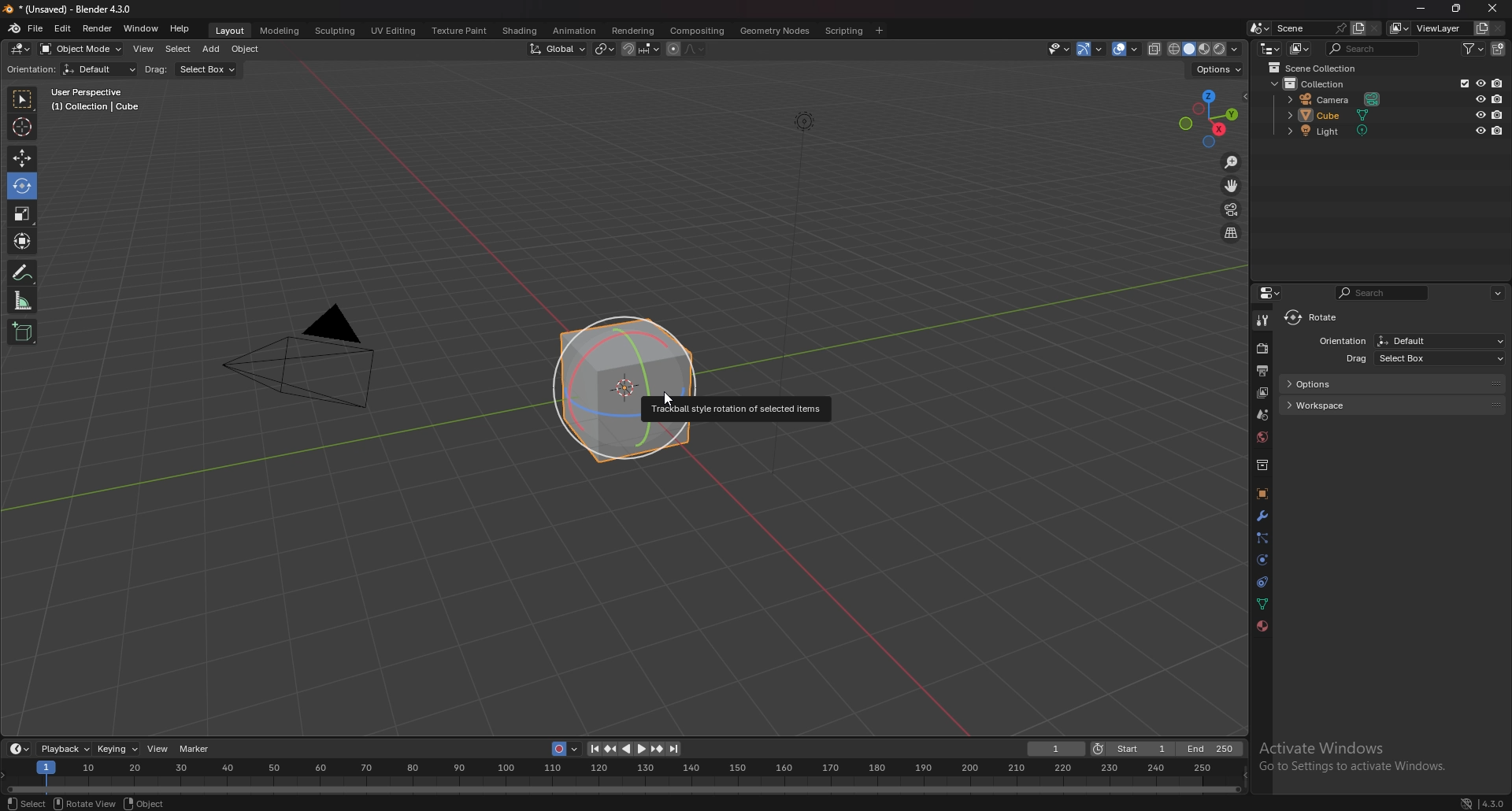 This screenshot has width=1512, height=811. Describe the element at coordinates (1481, 98) in the screenshot. I see `hide in view port` at that location.